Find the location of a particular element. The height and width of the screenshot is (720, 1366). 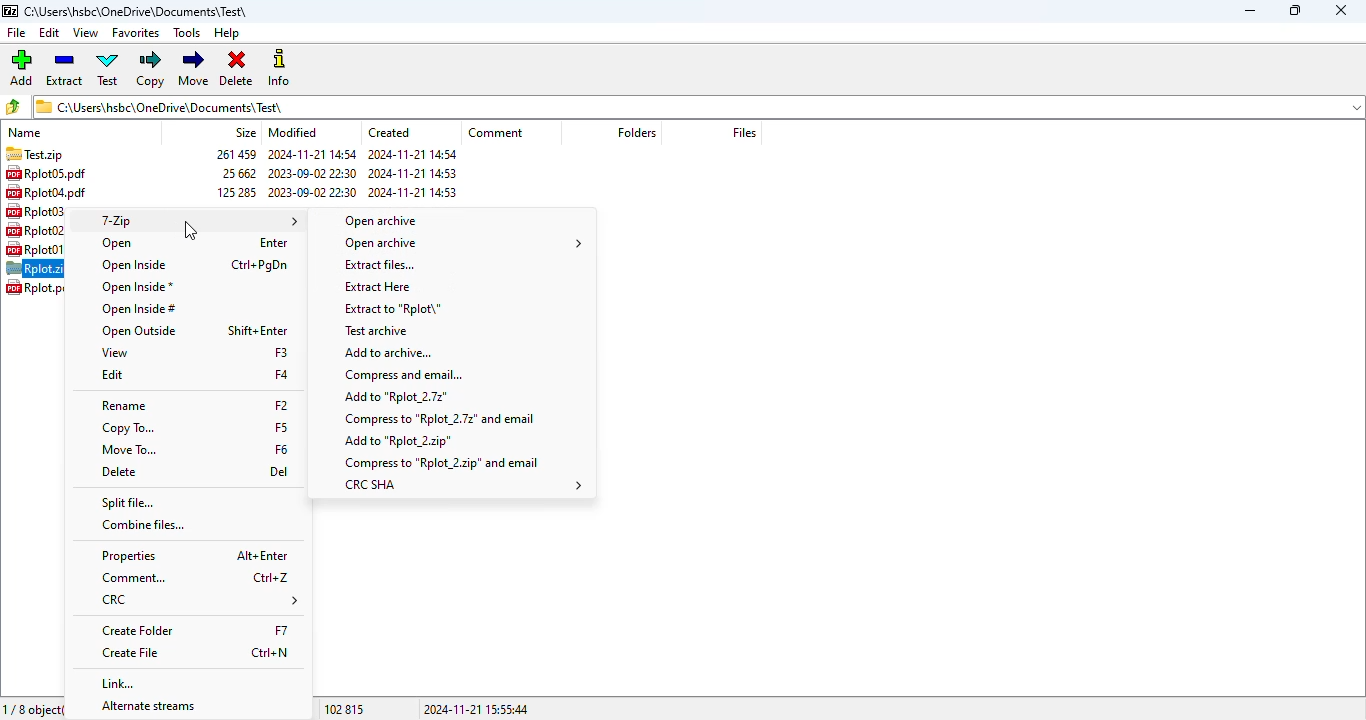

size is located at coordinates (246, 133).